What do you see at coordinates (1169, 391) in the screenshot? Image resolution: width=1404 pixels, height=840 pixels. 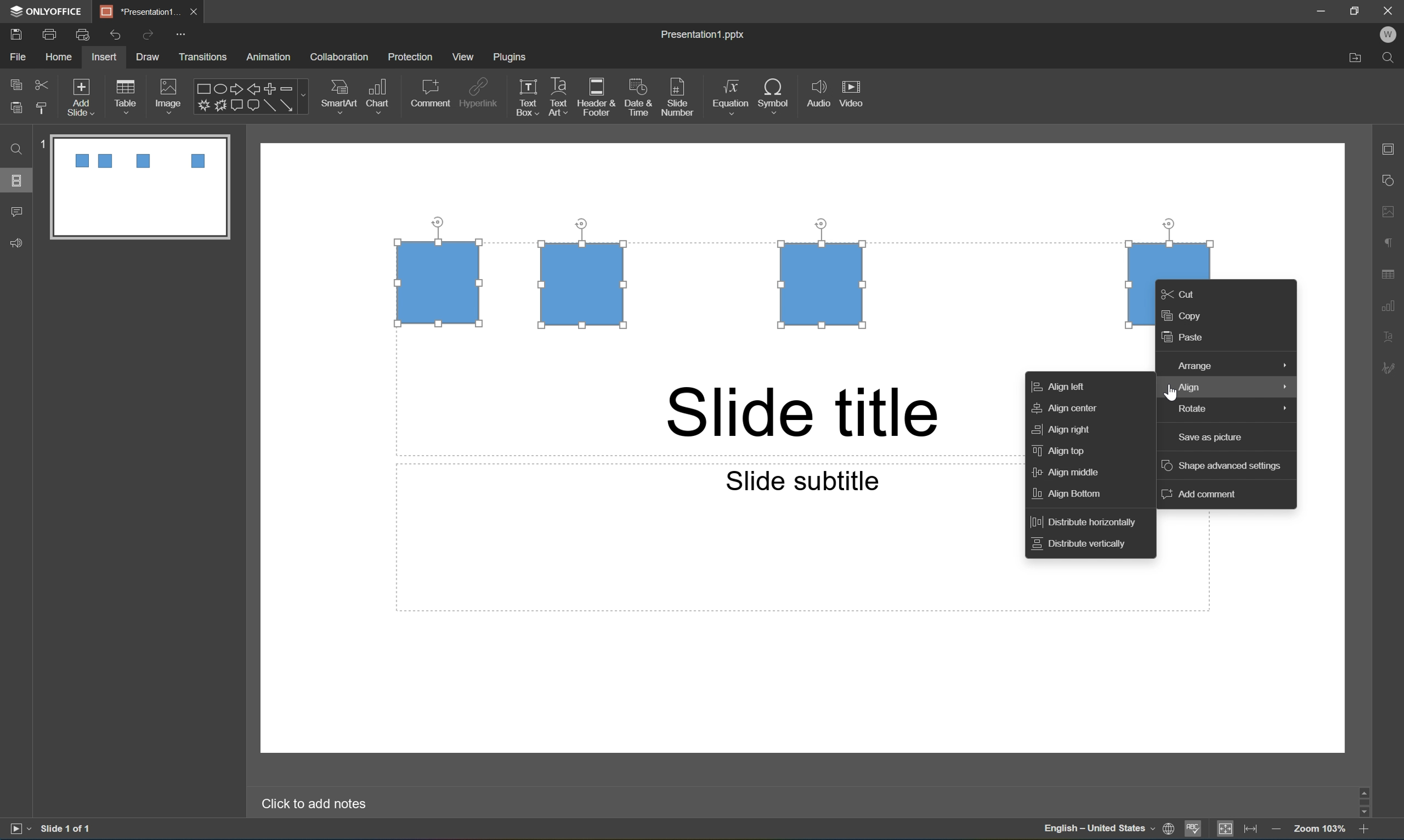 I see `Cursor Position` at bounding box center [1169, 391].